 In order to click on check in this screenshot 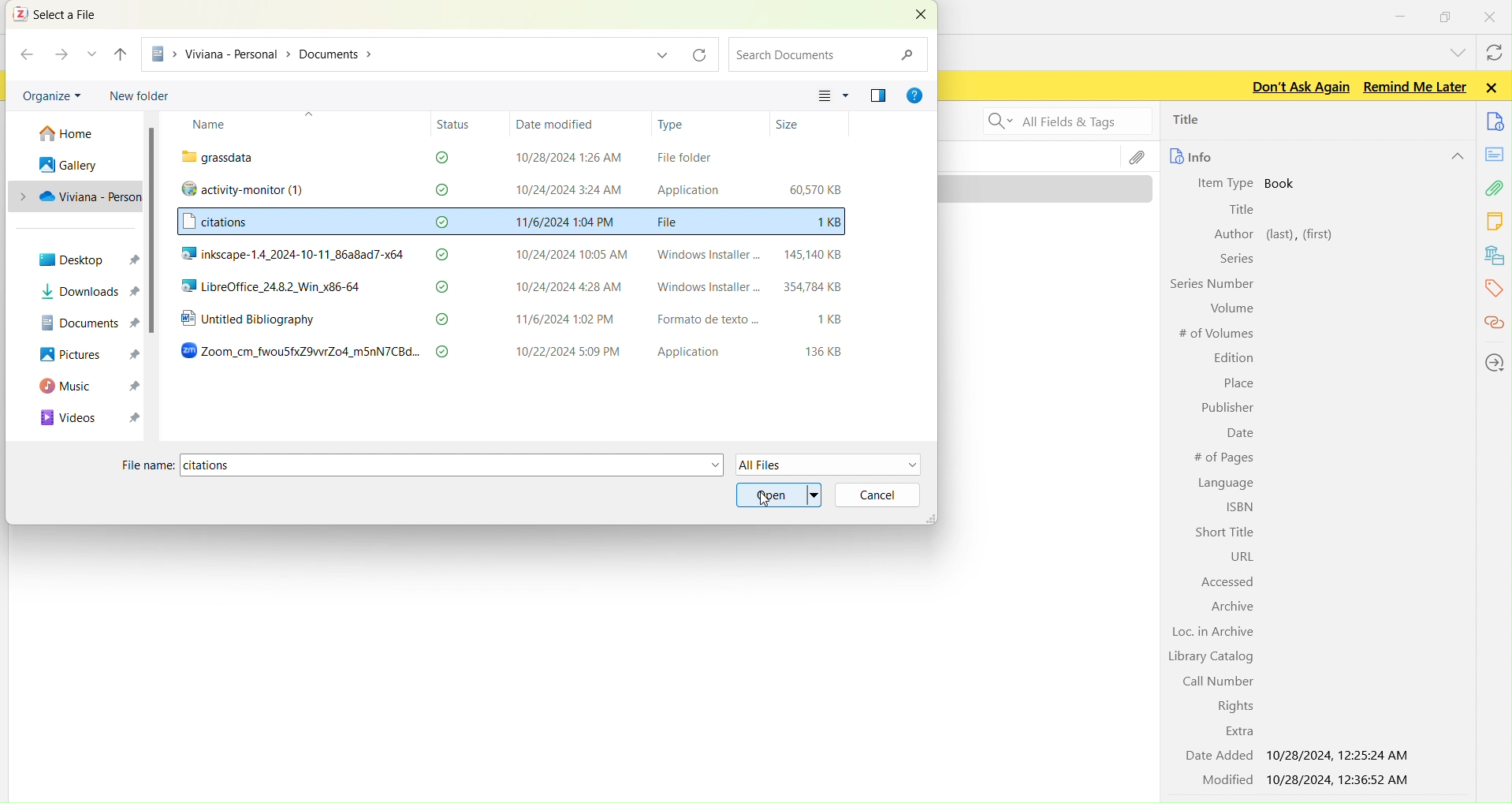, I will do `click(447, 287)`.